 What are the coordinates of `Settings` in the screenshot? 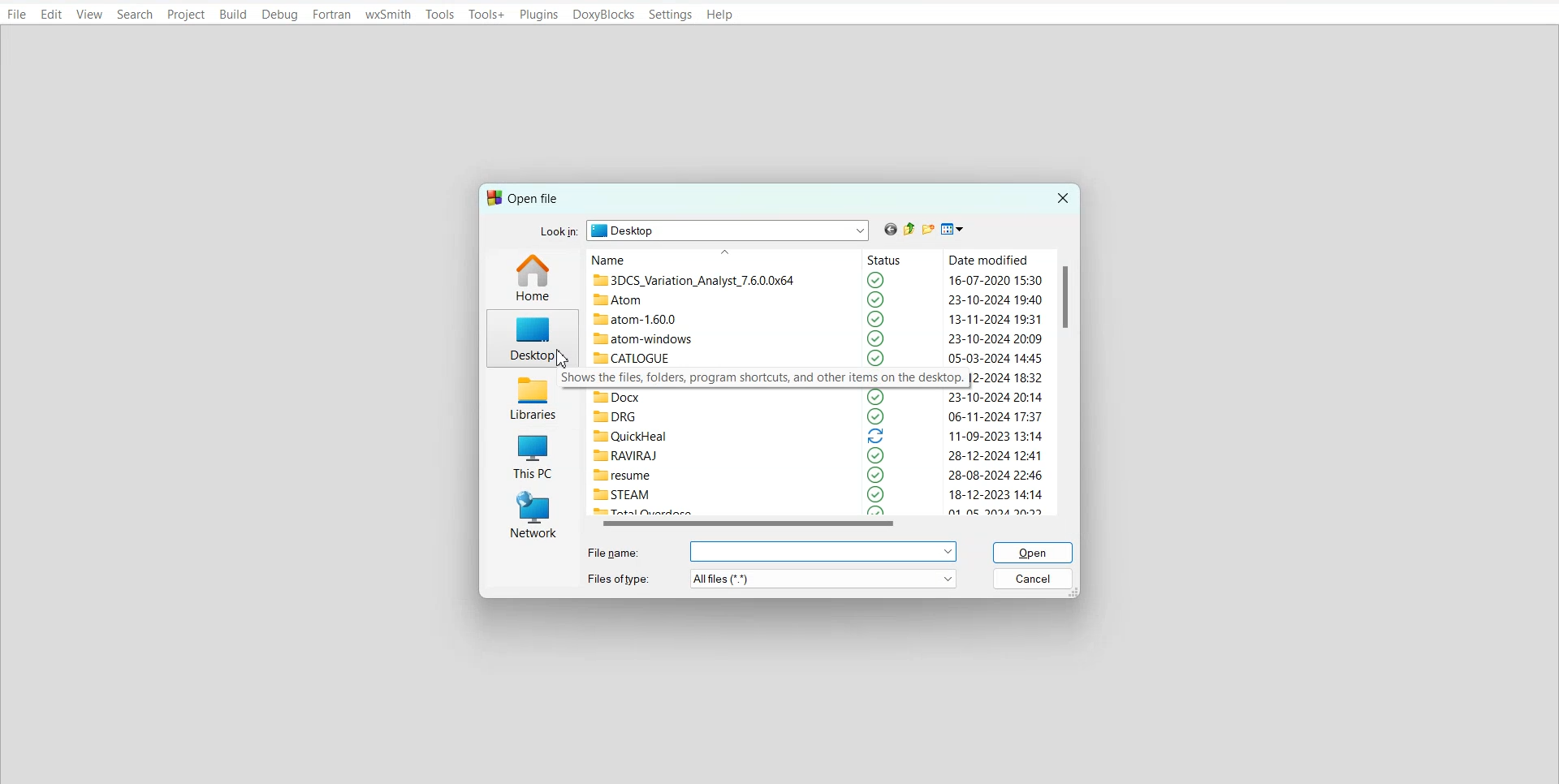 It's located at (671, 15).